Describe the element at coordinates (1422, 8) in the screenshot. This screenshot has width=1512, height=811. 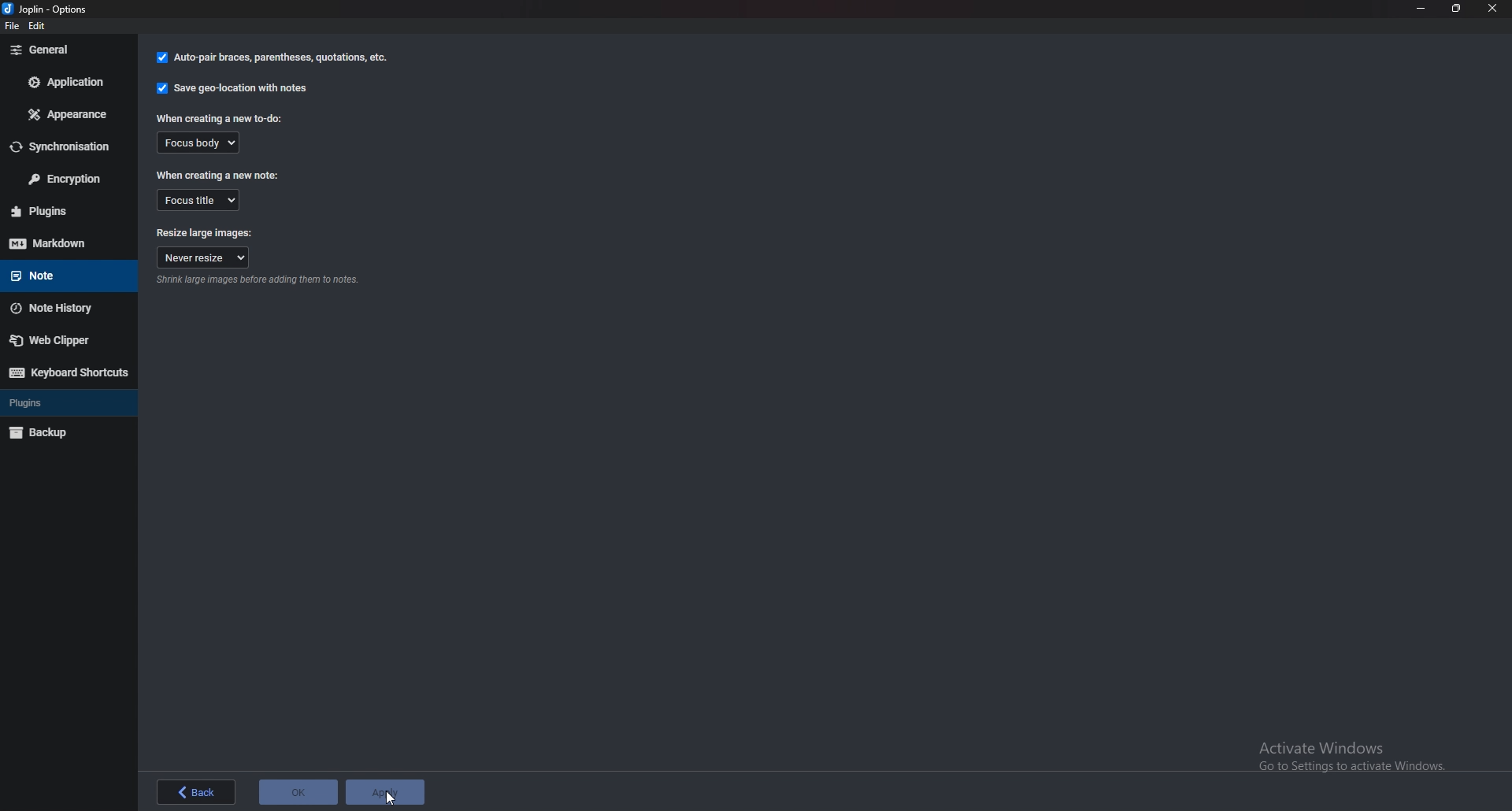
I see `Minimize` at that location.